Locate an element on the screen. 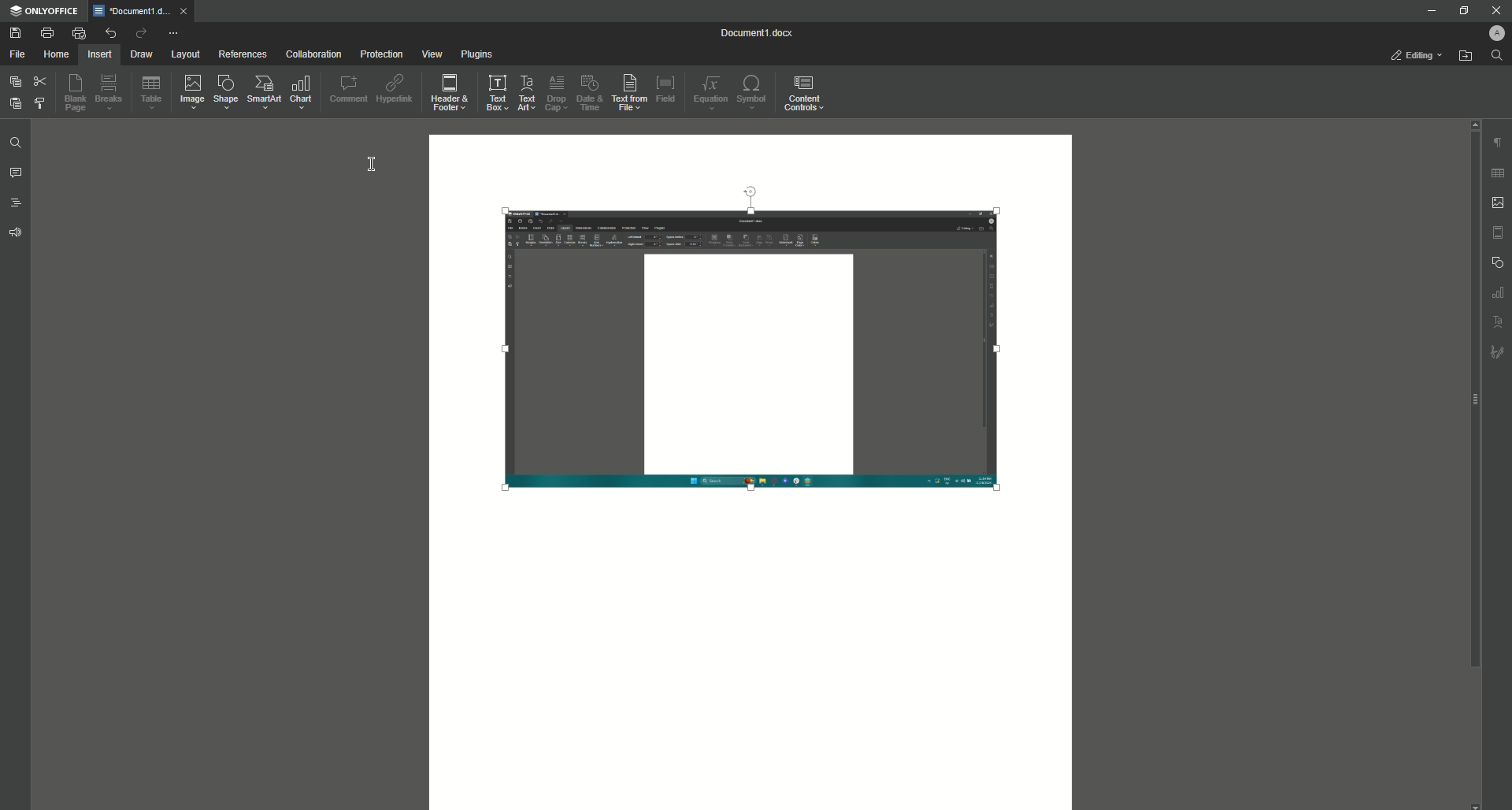 The image size is (1512, 810). Breaks is located at coordinates (109, 91).